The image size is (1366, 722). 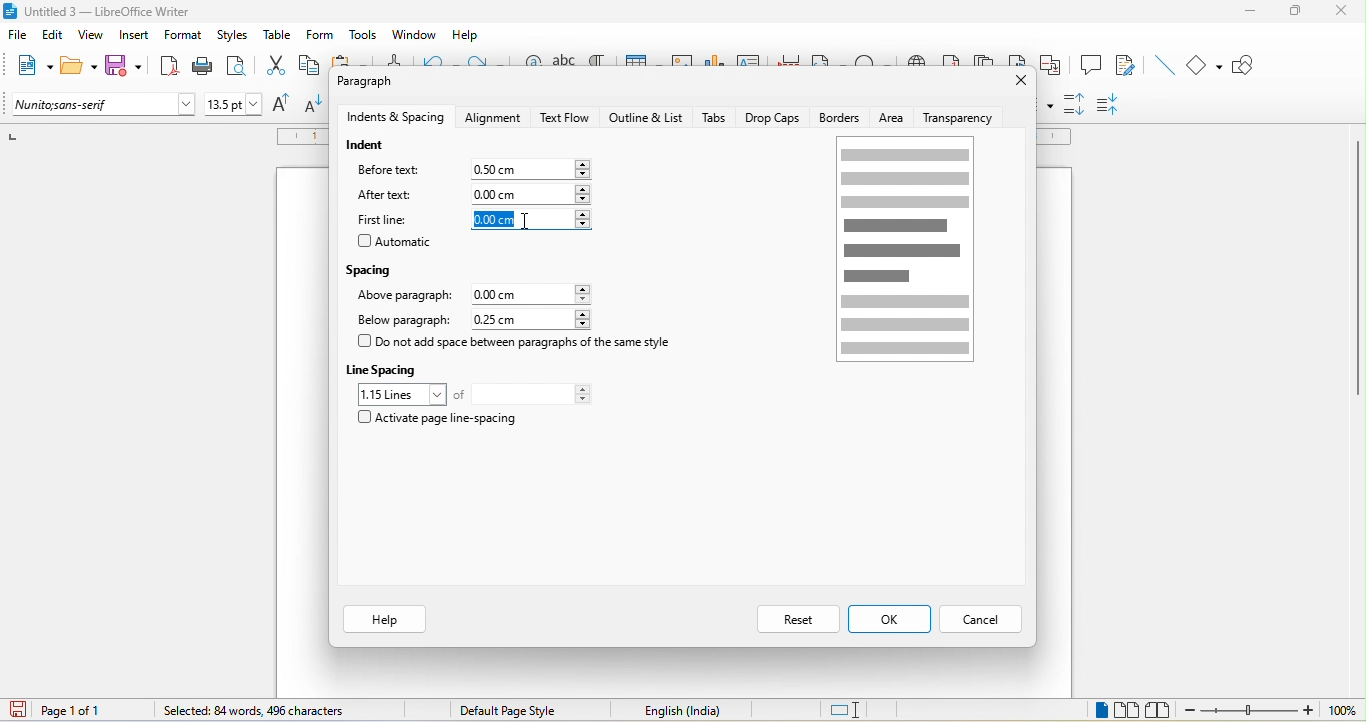 What do you see at coordinates (386, 219) in the screenshot?
I see `first line` at bounding box center [386, 219].